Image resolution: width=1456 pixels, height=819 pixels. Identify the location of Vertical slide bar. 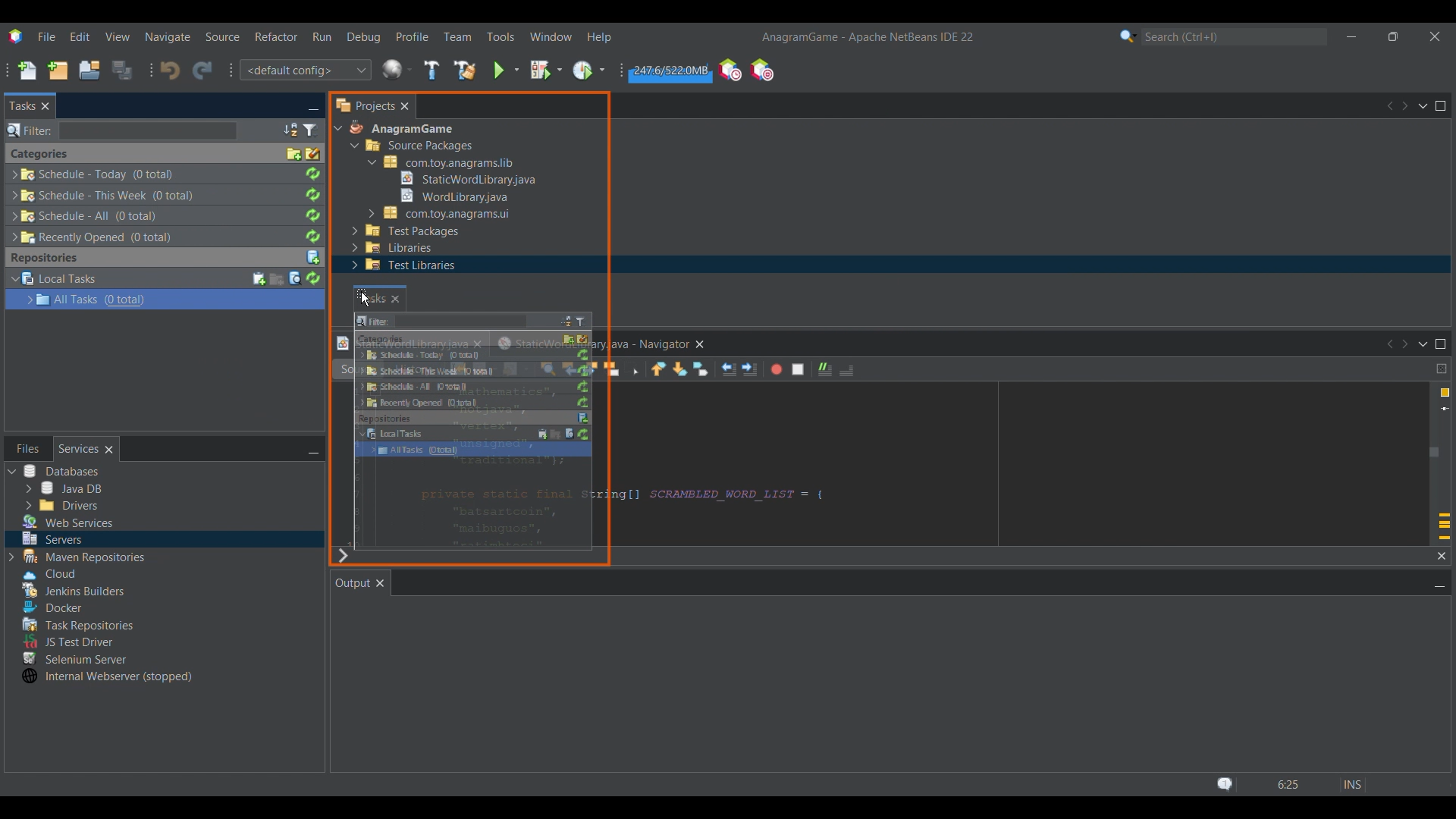
(1434, 441).